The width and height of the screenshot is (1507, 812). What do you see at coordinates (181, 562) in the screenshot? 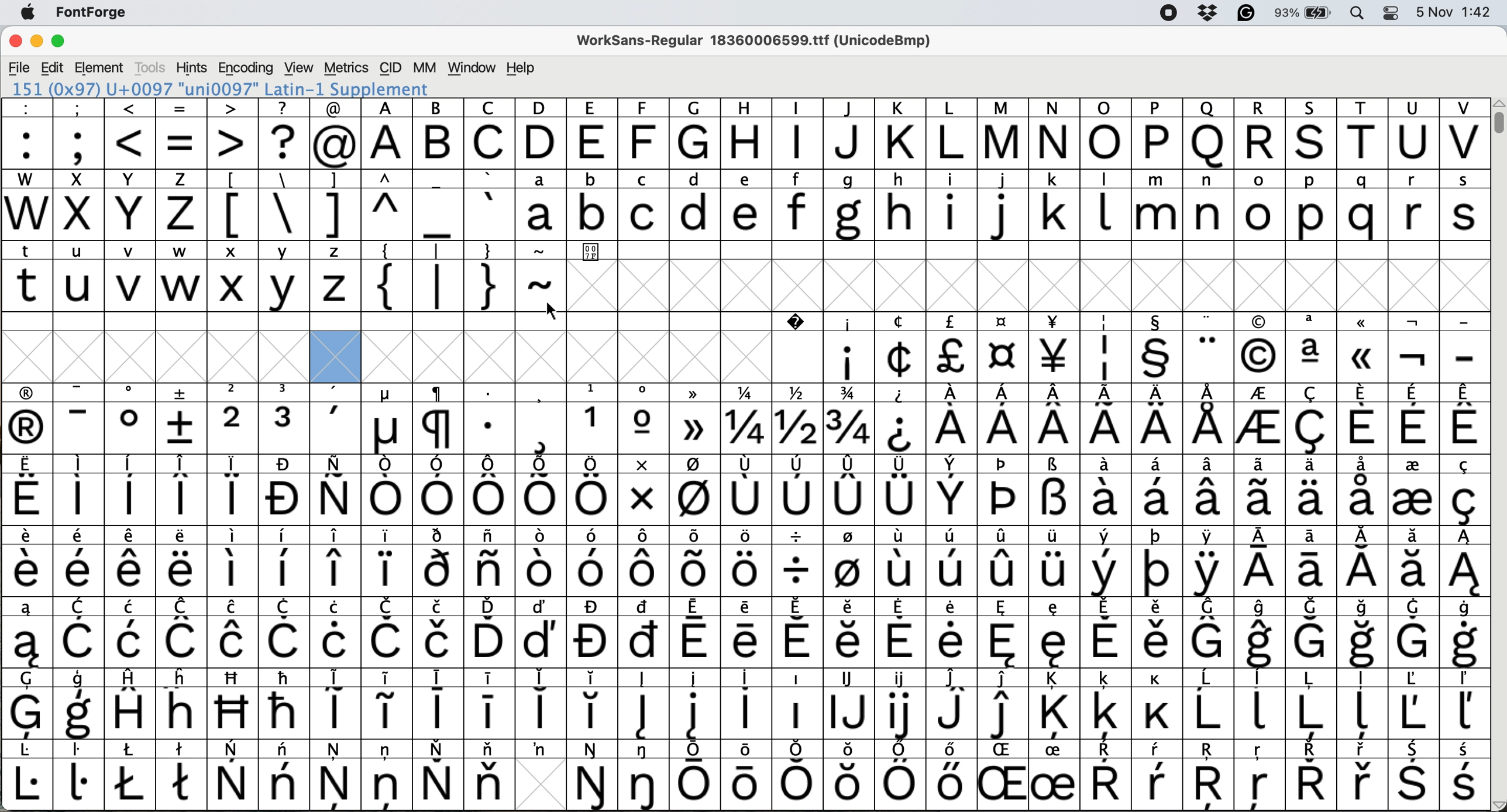
I see `symbol` at bounding box center [181, 562].